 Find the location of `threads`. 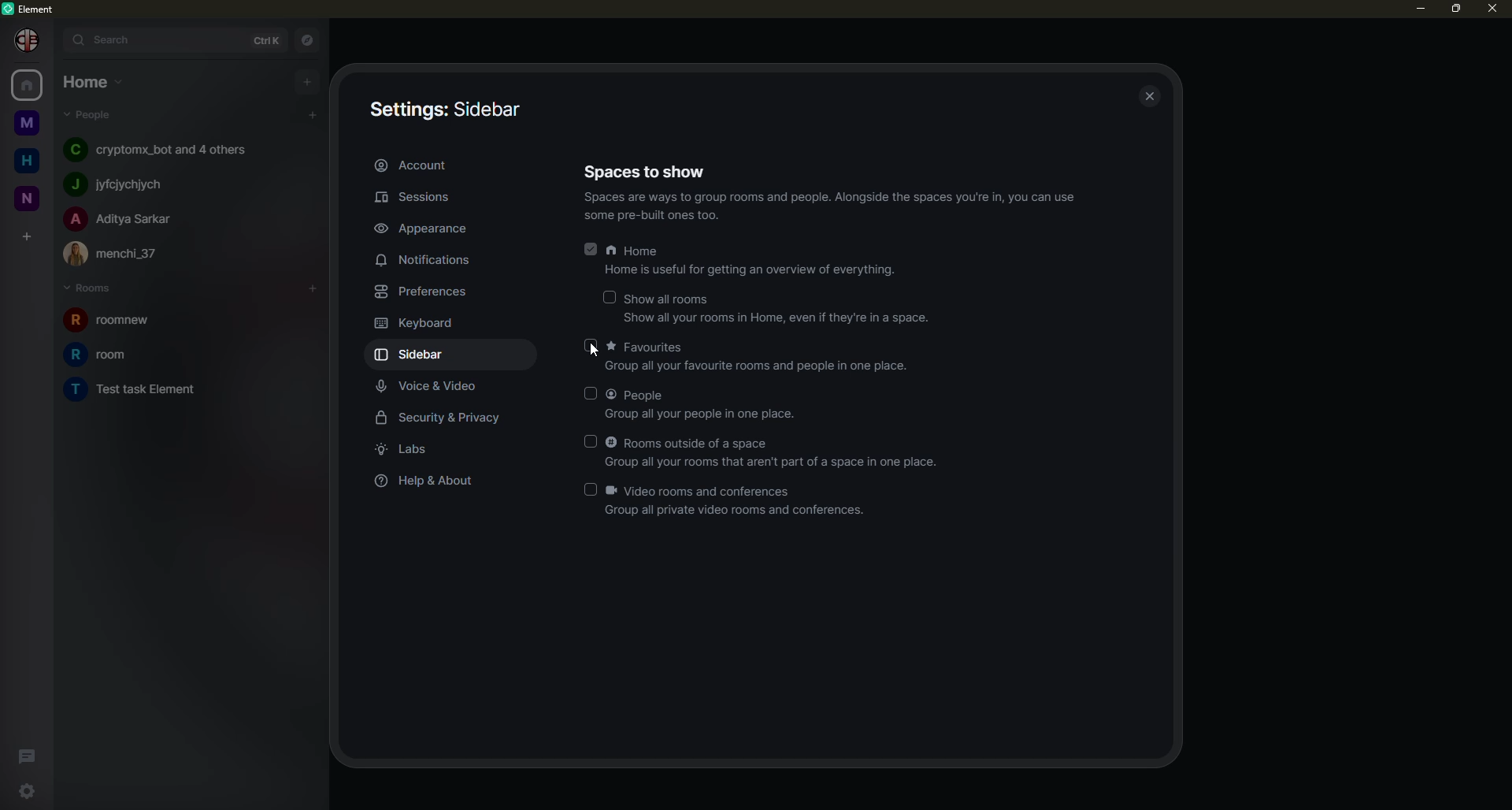

threads is located at coordinates (25, 756).